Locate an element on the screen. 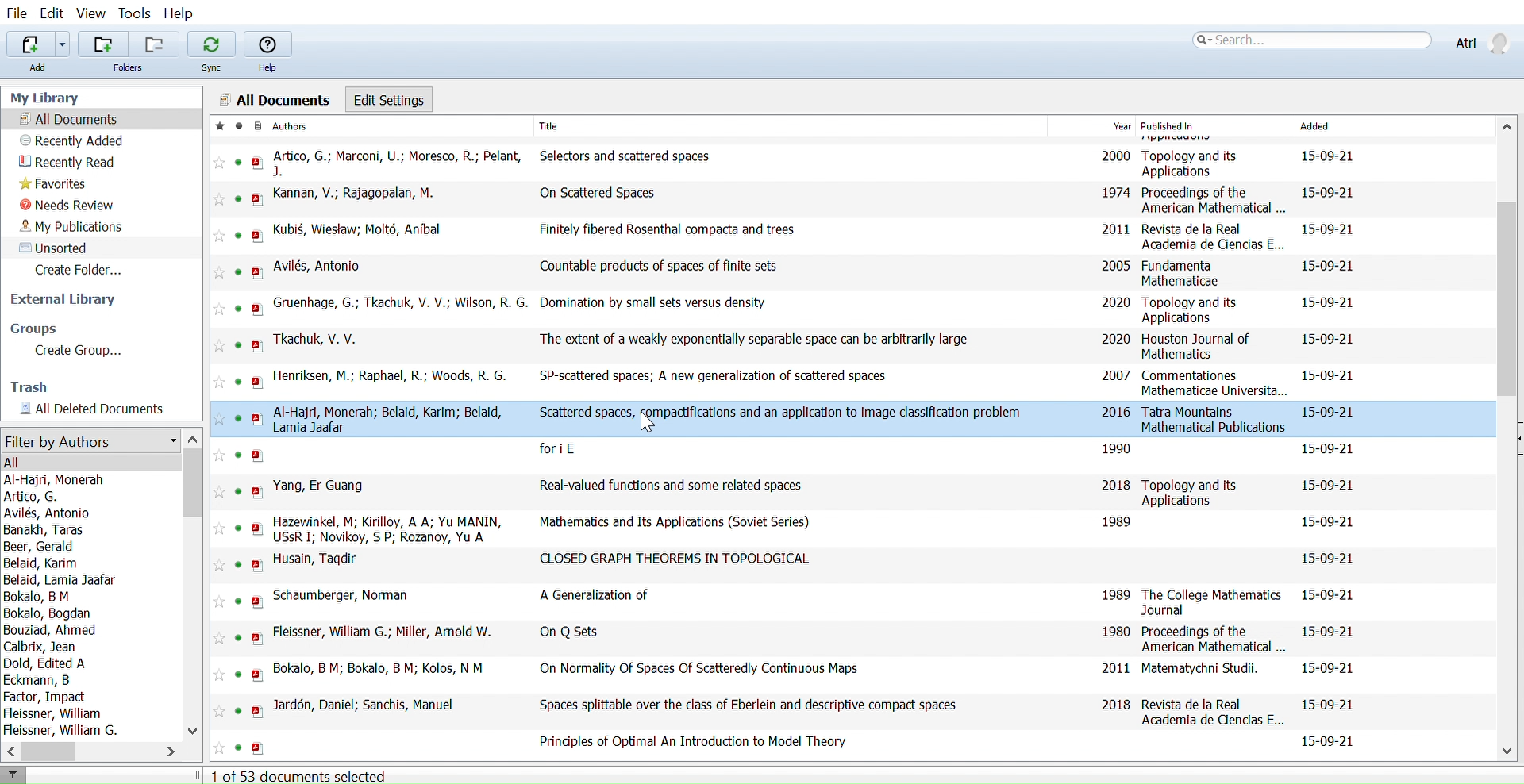  folders is located at coordinates (126, 67).